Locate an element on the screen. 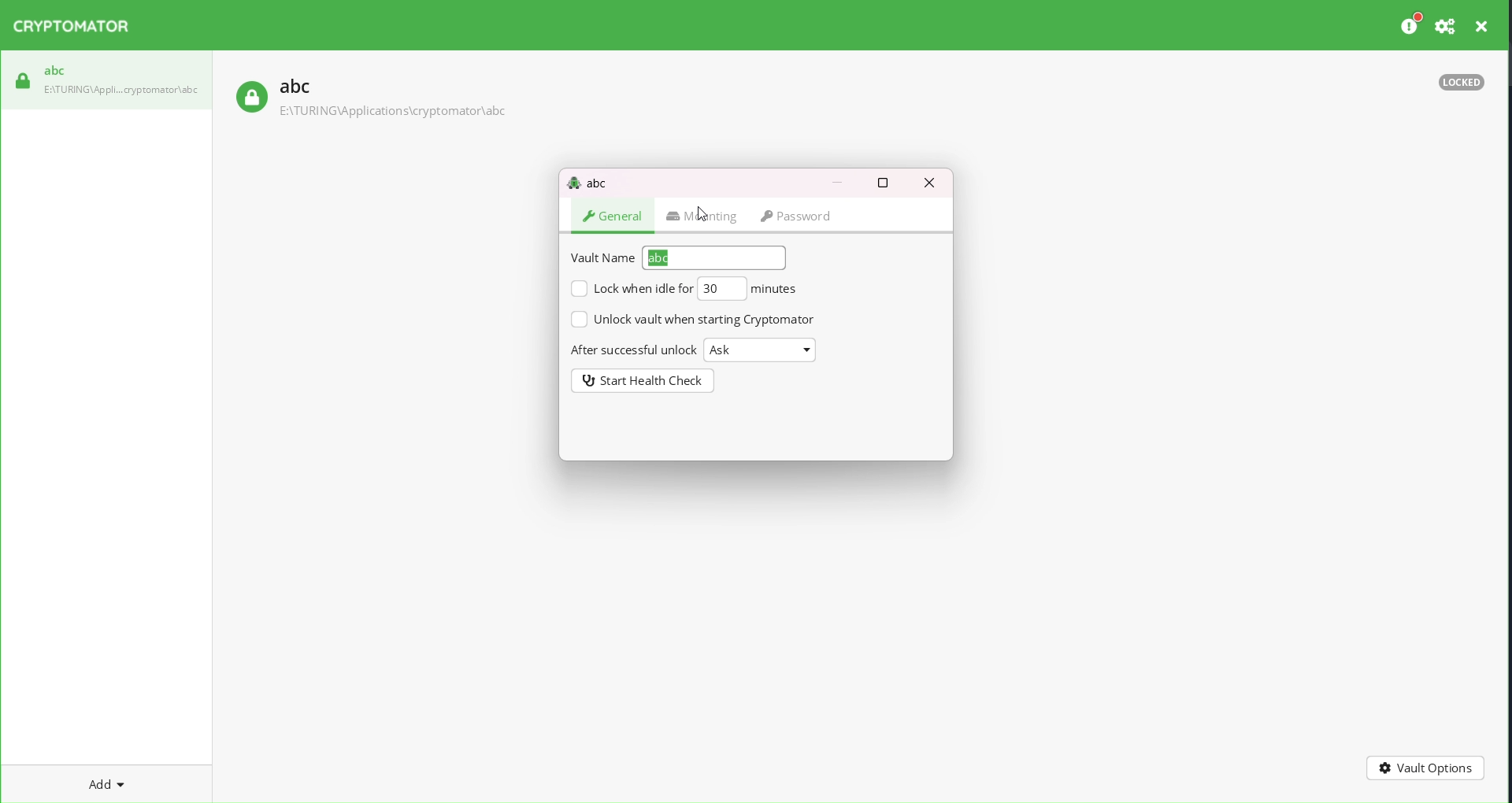 The height and width of the screenshot is (803, 1512). vault options is located at coordinates (1424, 766).